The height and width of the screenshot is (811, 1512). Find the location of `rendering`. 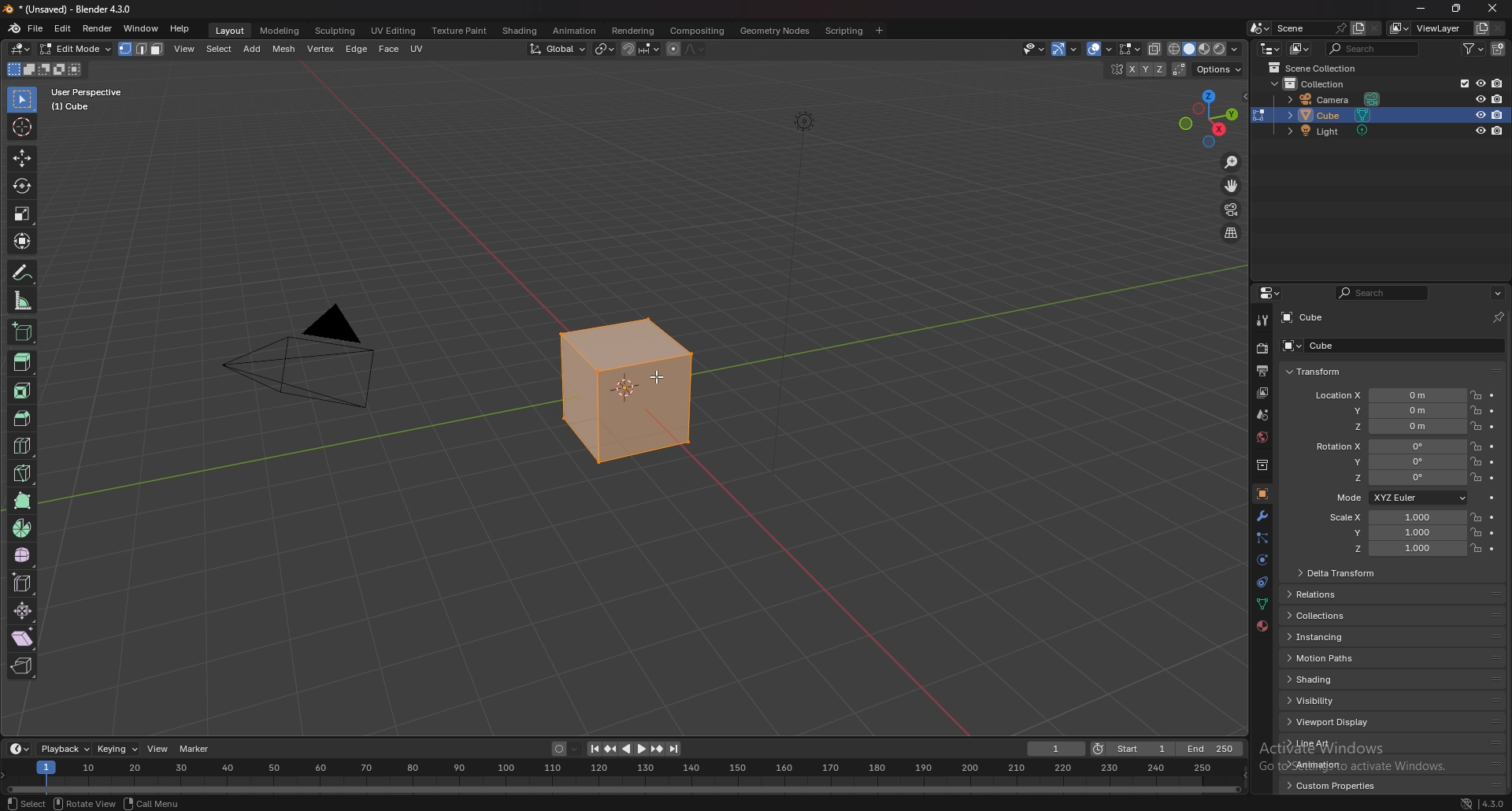

rendering is located at coordinates (632, 31).